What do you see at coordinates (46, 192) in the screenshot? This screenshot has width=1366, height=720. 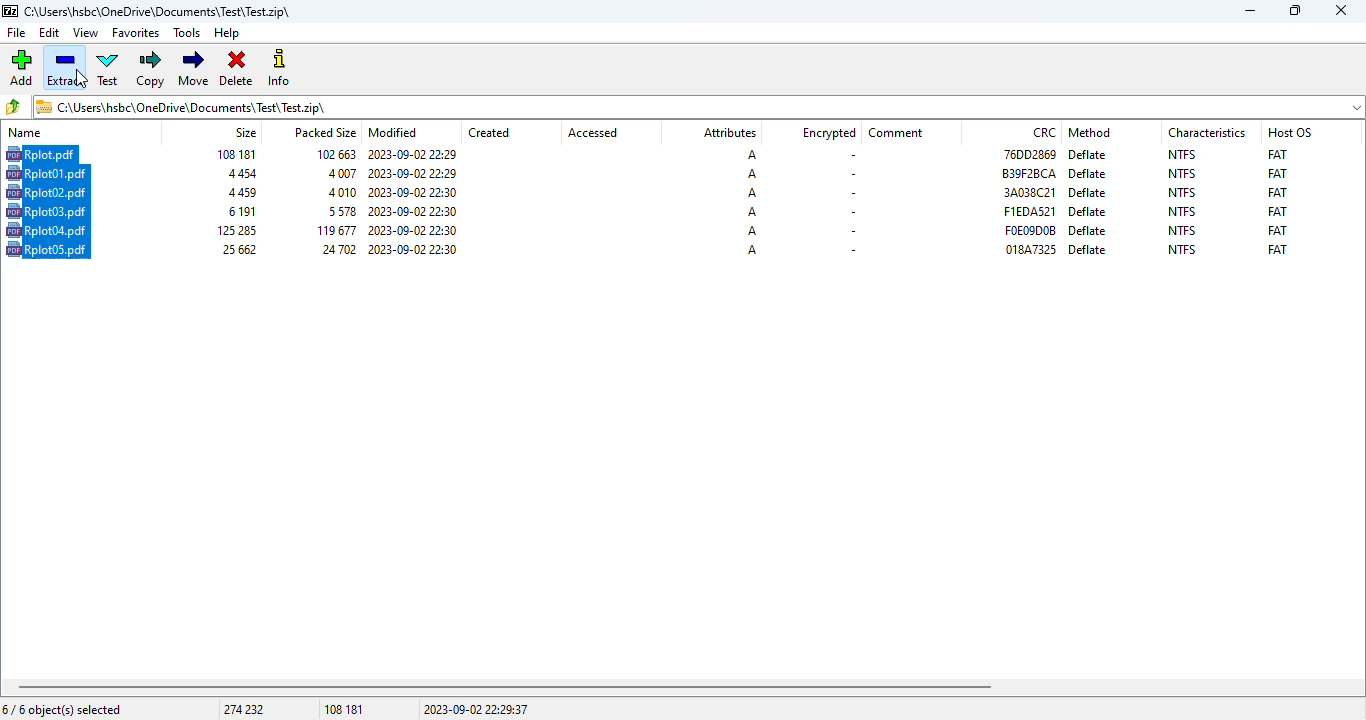 I see `file` at bounding box center [46, 192].